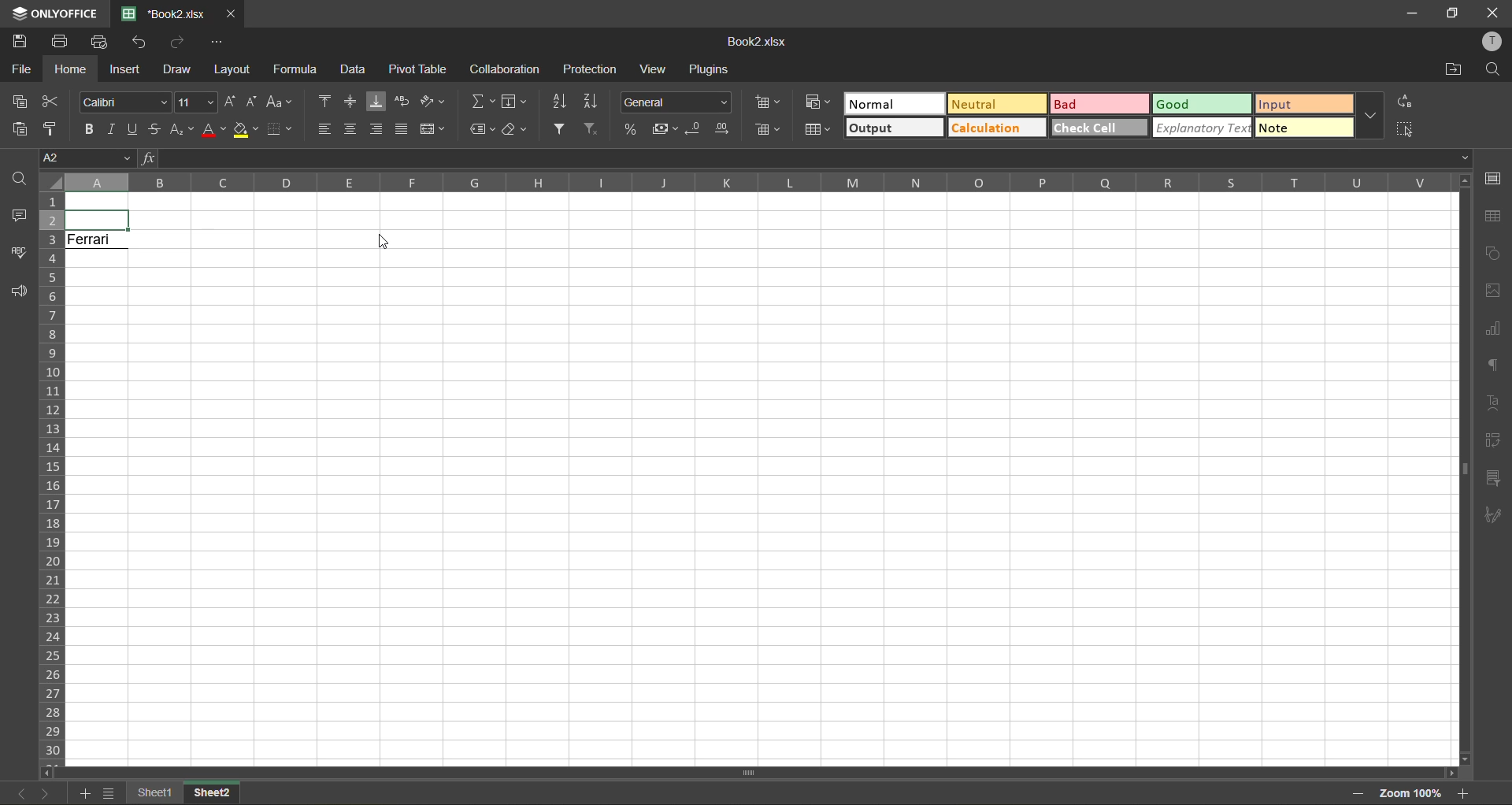 This screenshot has height=805, width=1512. Describe the element at coordinates (480, 102) in the screenshot. I see `summation` at that location.